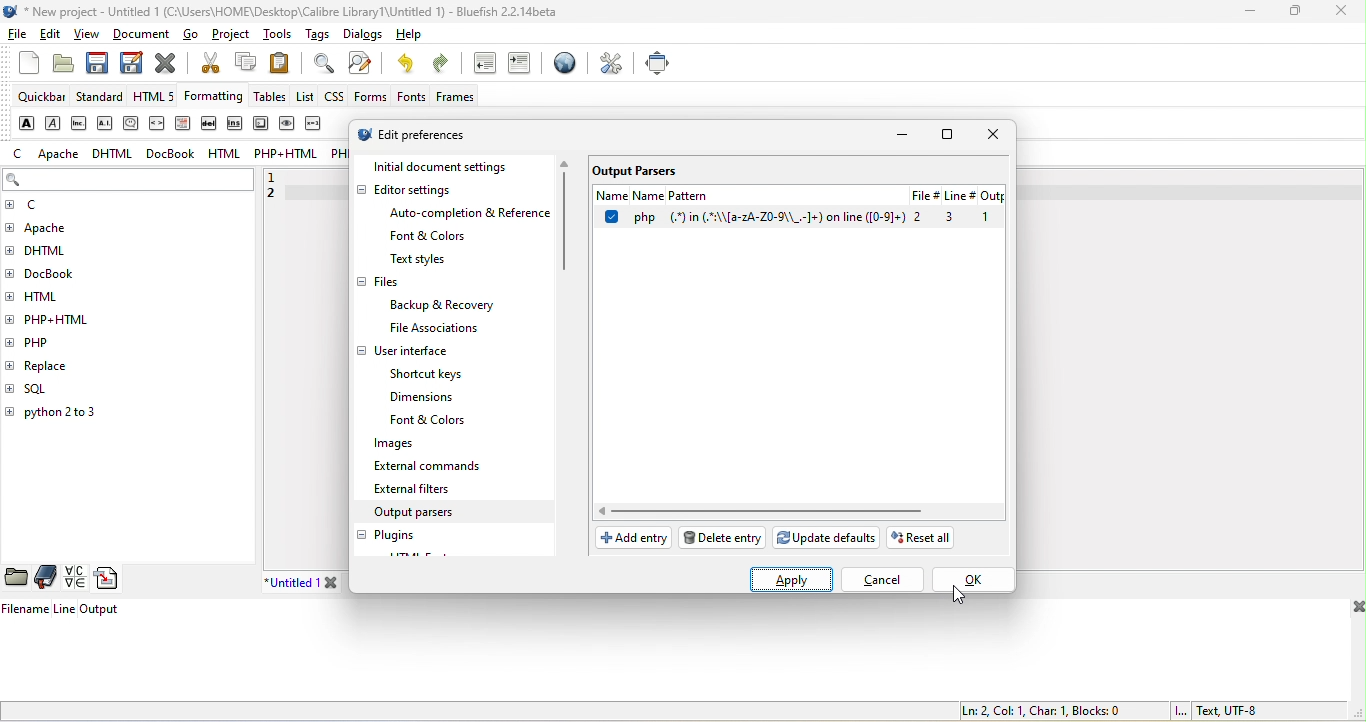 The image size is (1366, 722). I want to click on file browser, so click(17, 578).